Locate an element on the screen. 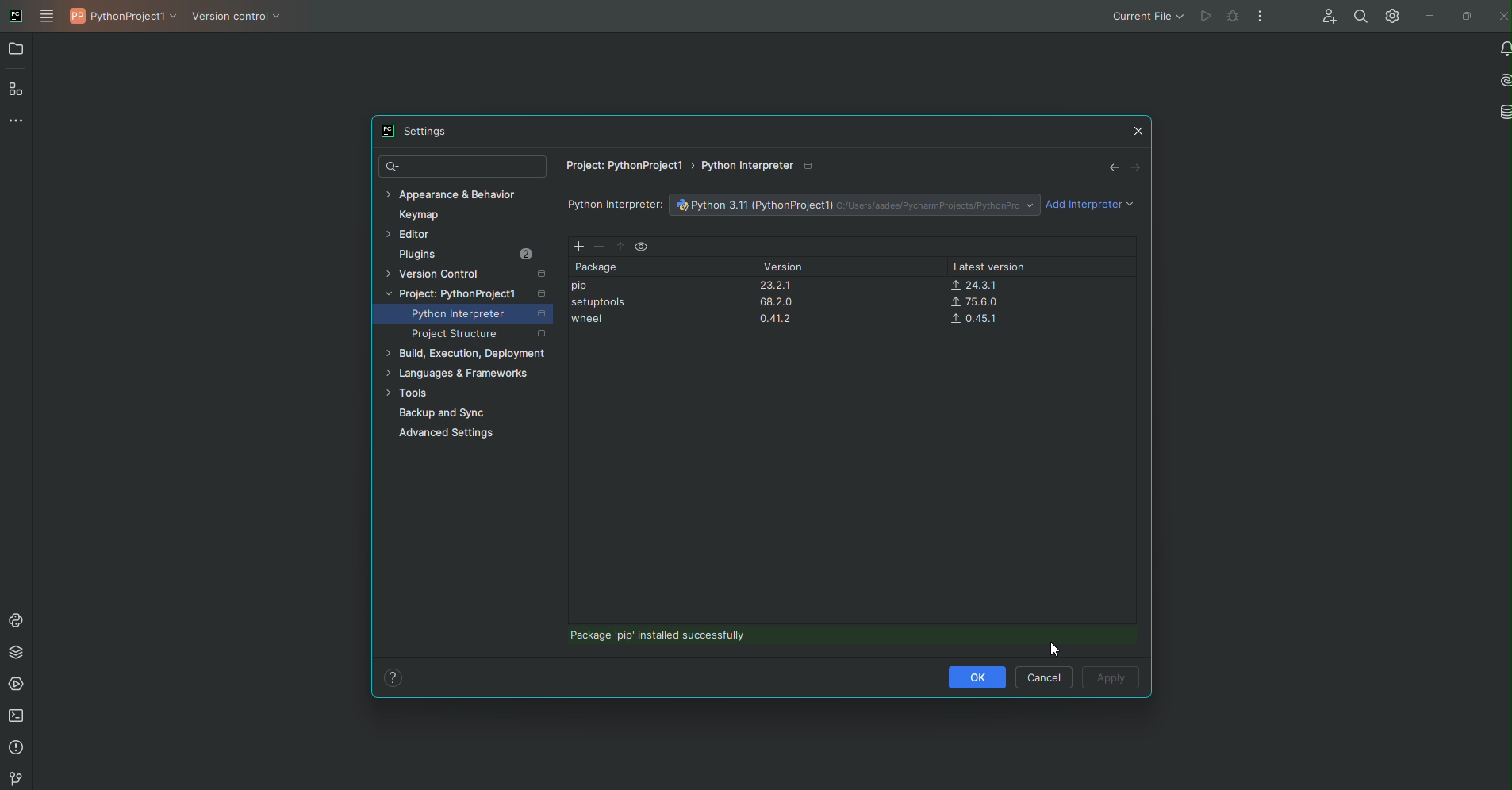 This screenshot has width=1512, height=790. Services is located at coordinates (17, 686).